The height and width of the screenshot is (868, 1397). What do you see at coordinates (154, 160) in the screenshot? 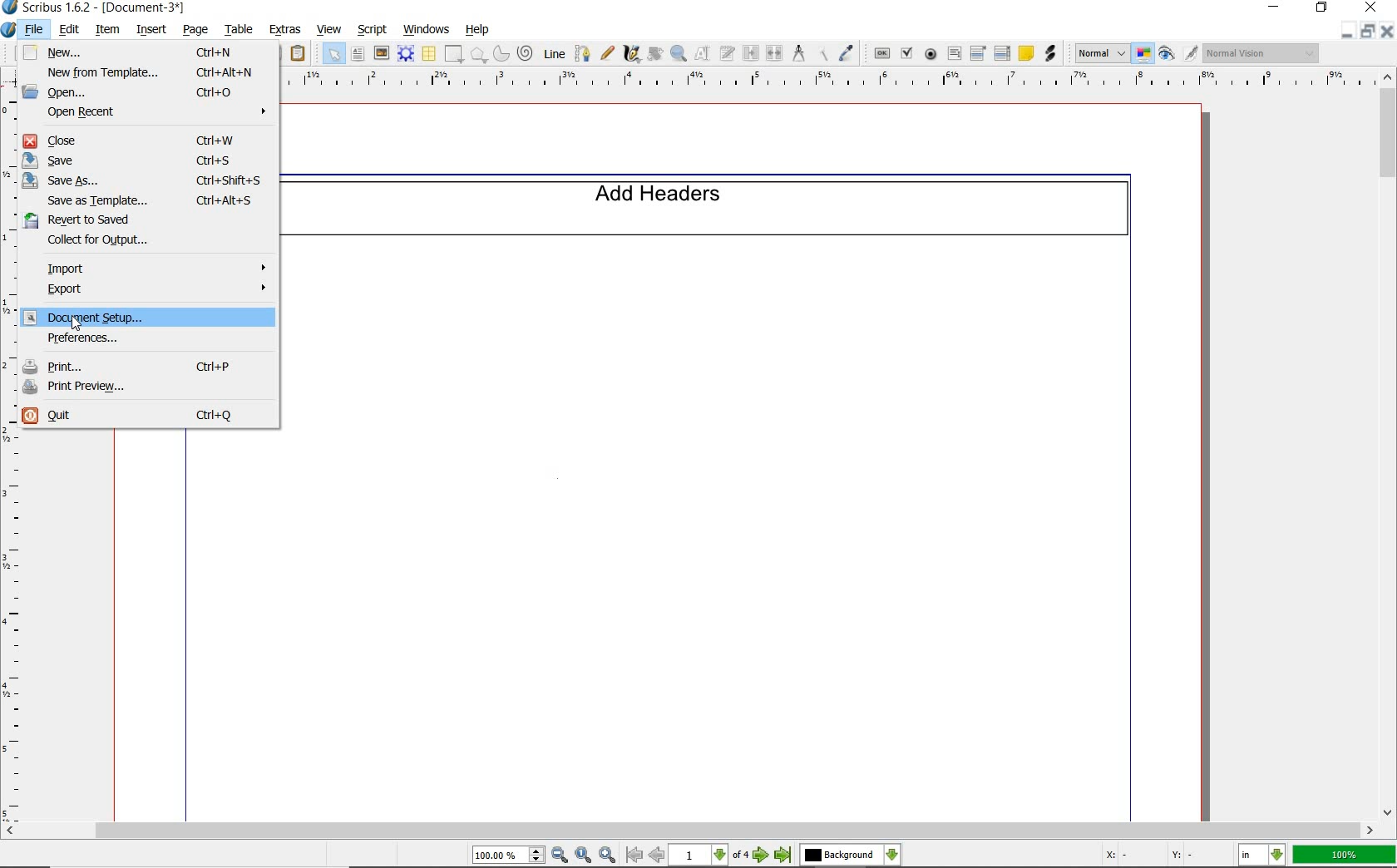
I see `save` at bounding box center [154, 160].